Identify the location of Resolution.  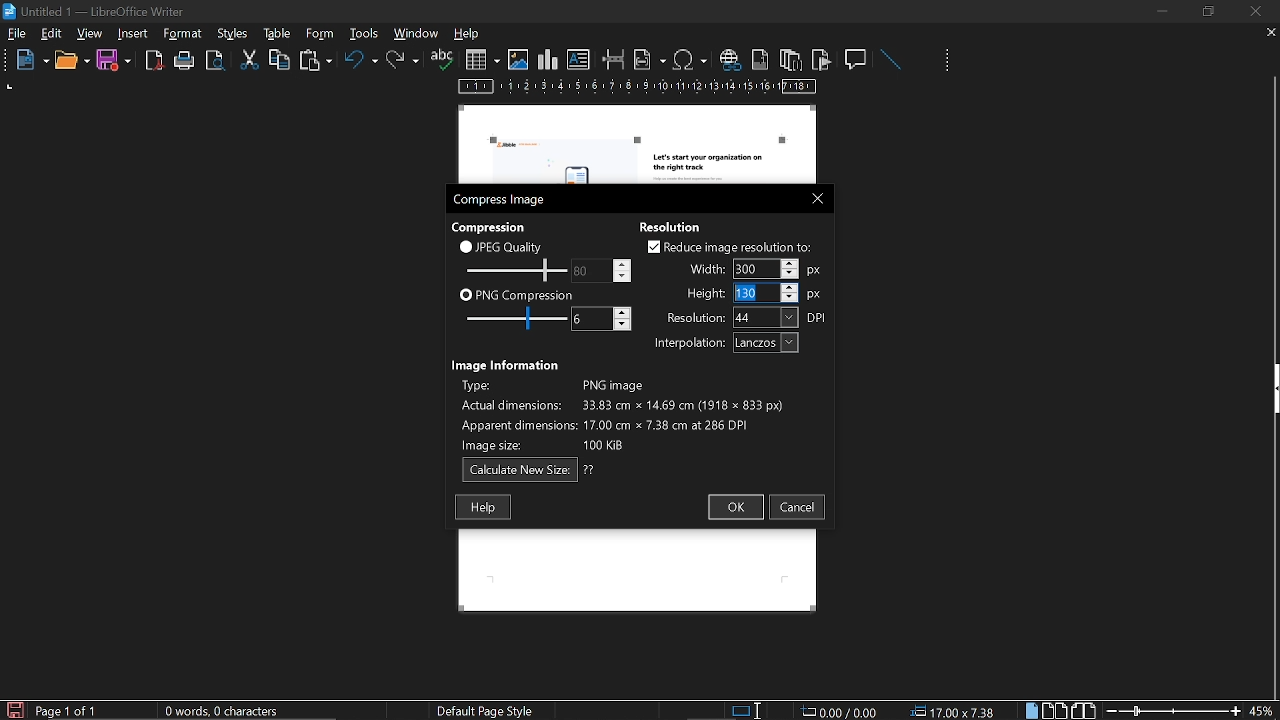
(677, 225).